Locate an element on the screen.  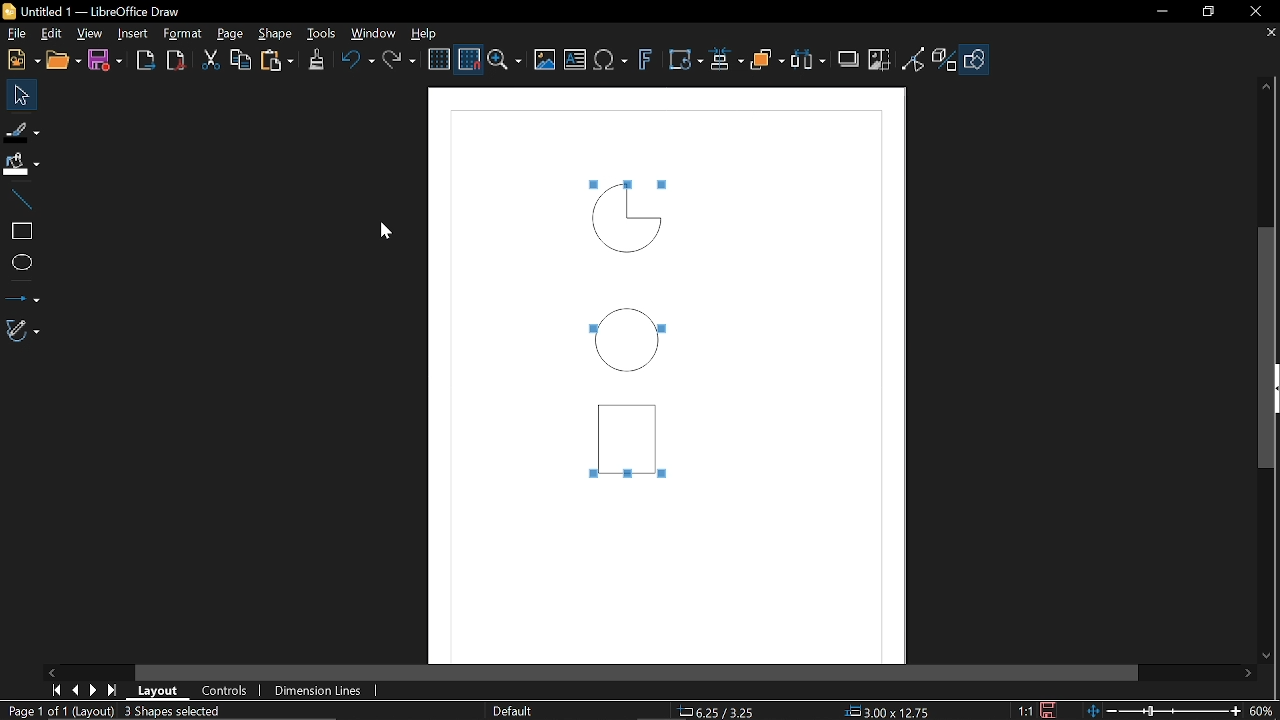
Arrange is located at coordinates (767, 64).